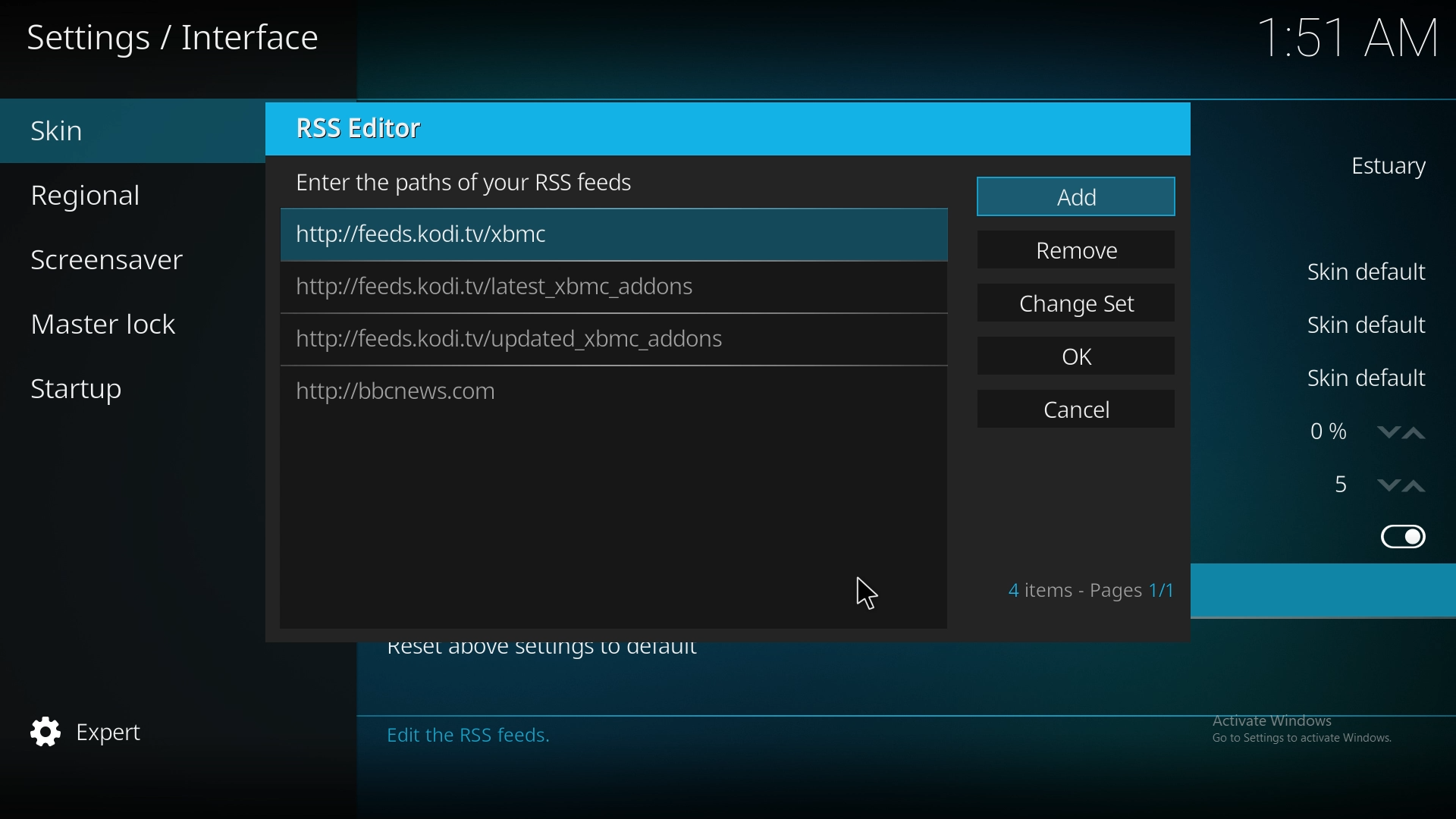 Image resolution: width=1456 pixels, height=819 pixels. What do you see at coordinates (1424, 484) in the screenshot?
I see `Increase zoom` at bounding box center [1424, 484].